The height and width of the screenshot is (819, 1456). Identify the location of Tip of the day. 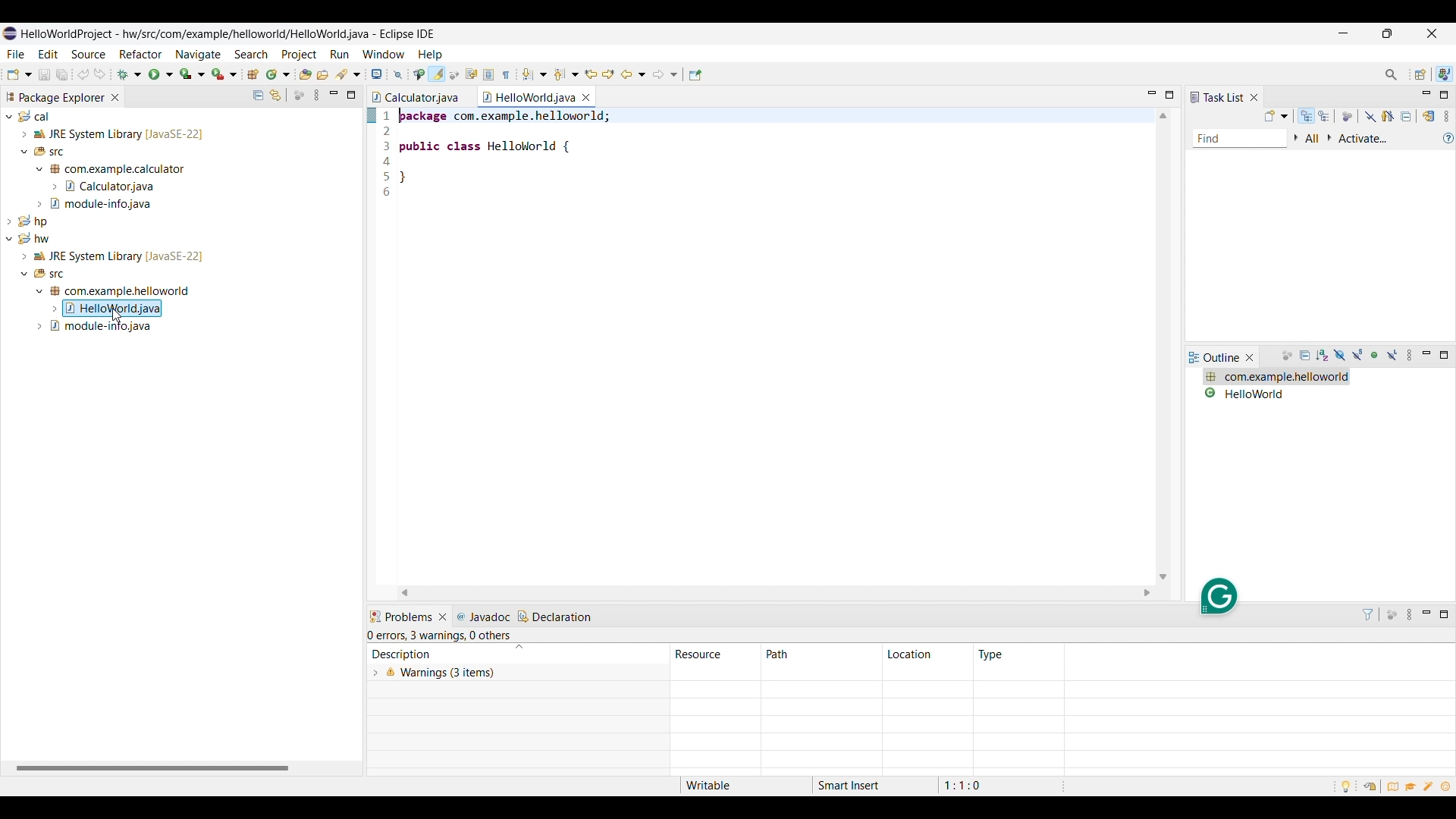
(1346, 787).